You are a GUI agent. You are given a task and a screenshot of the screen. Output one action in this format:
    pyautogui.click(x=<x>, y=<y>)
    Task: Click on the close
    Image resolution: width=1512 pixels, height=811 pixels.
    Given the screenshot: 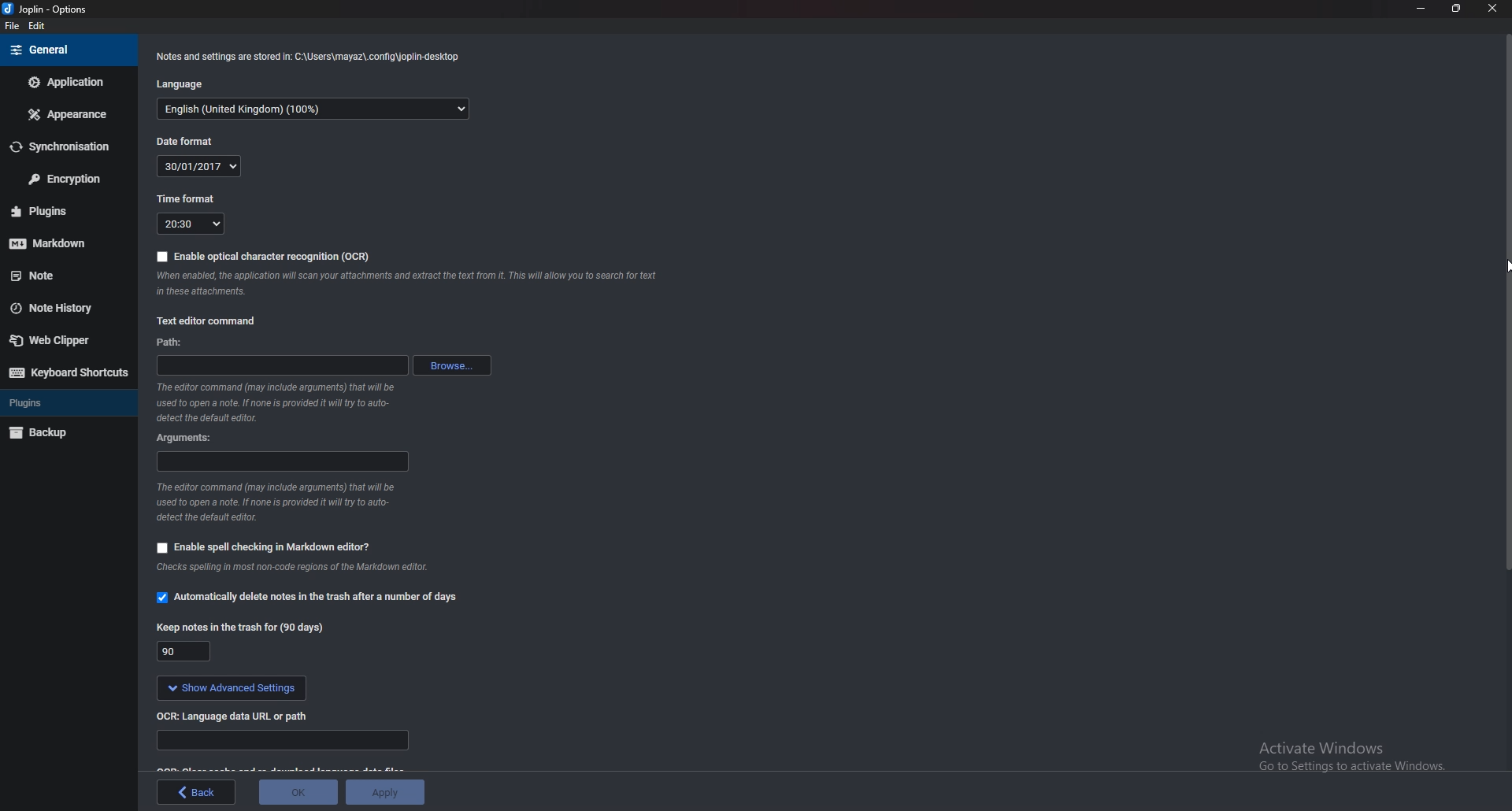 What is the action you would take?
    pyautogui.click(x=1492, y=9)
    